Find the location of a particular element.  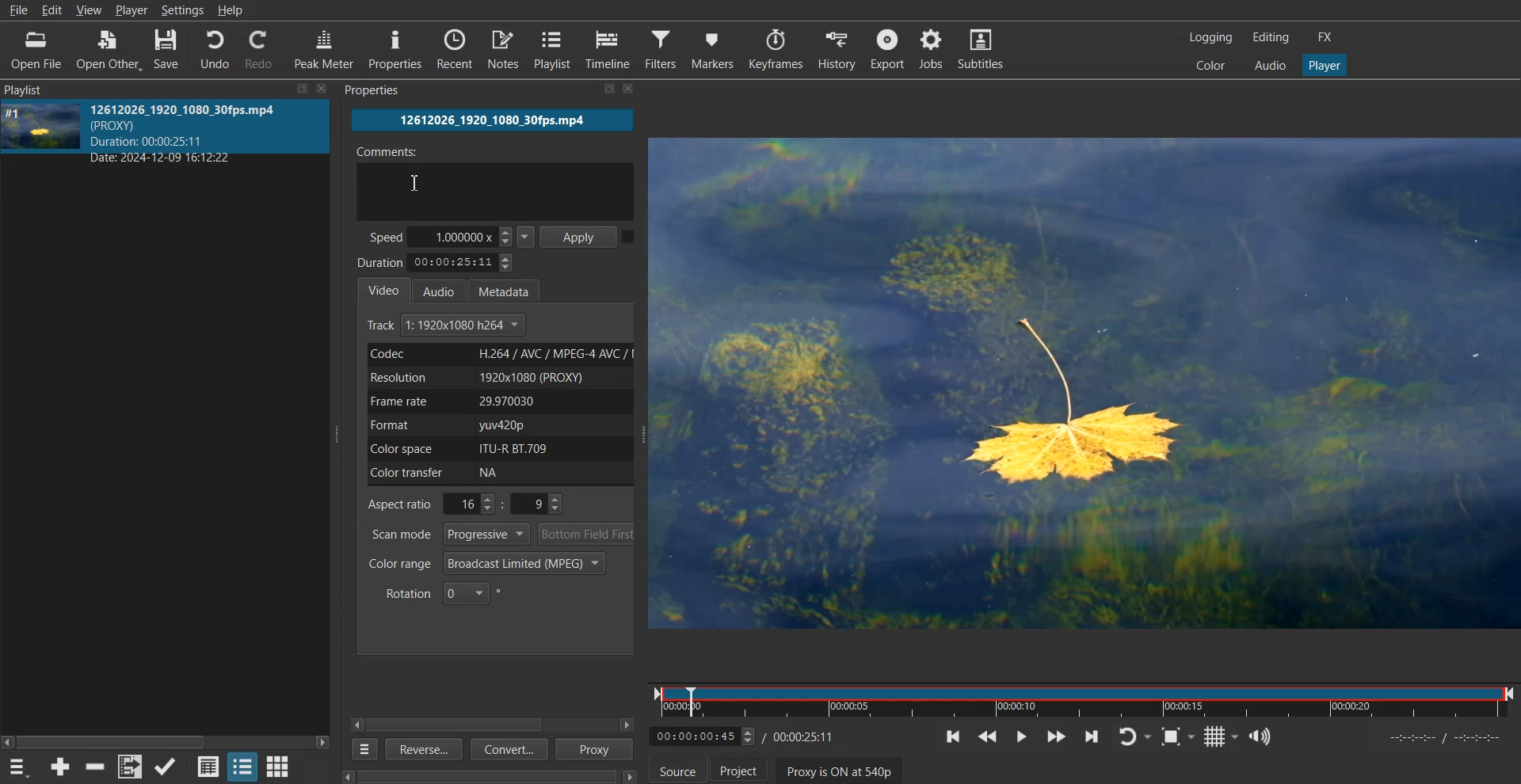

Undo is located at coordinates (214, 48).